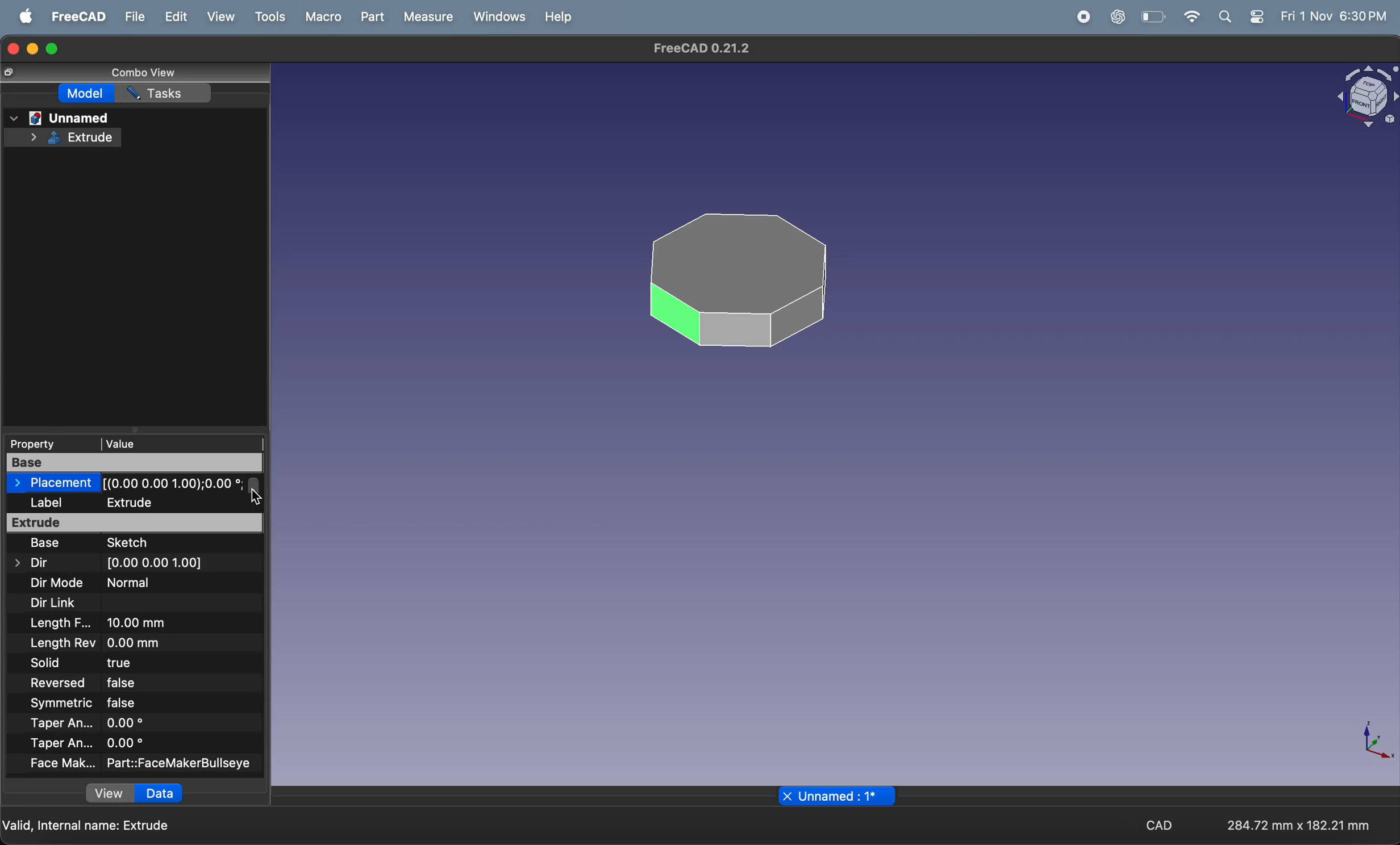 This screenshot has height=845, width=1400. Describe the element at coordinates (1380, 743) in the screenshot. I see `axis` at that location.